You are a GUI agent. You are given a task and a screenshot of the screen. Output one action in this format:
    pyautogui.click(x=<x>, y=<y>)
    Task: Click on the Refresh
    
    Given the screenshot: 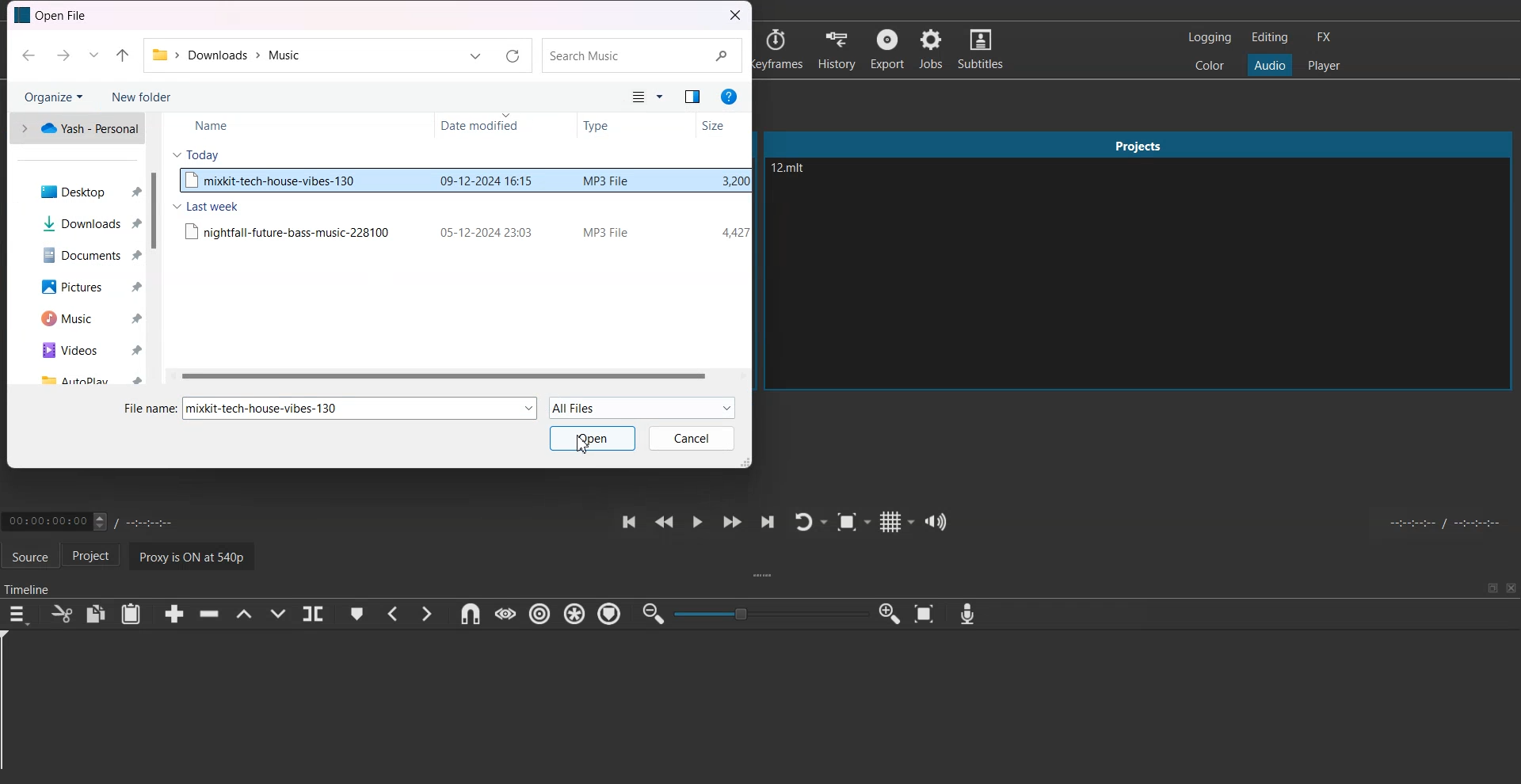 What is the action you would take?
    pyautogui.click(x=513, y=57)
    